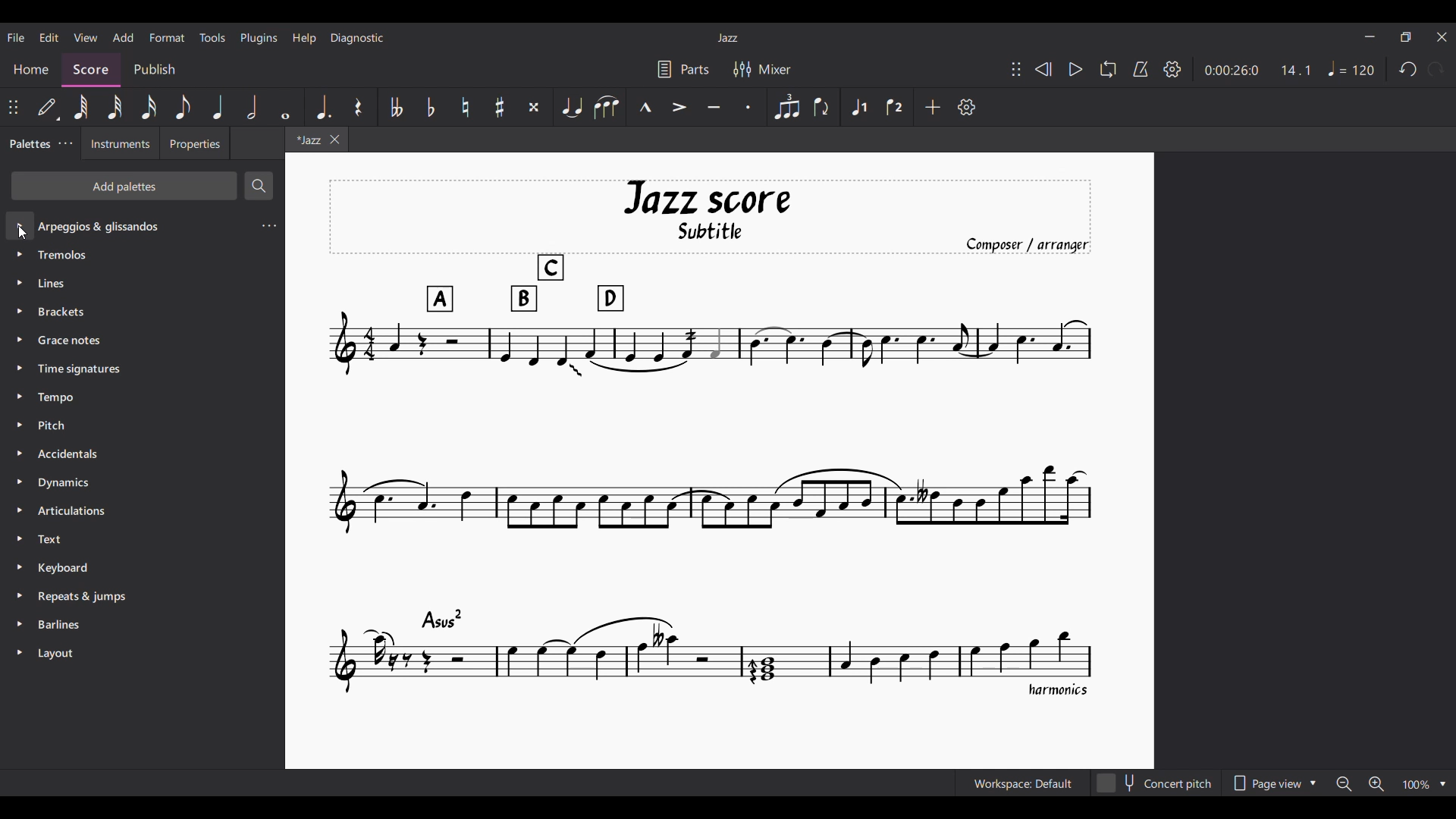  I want to click on Dynamics, so click(67, 485).